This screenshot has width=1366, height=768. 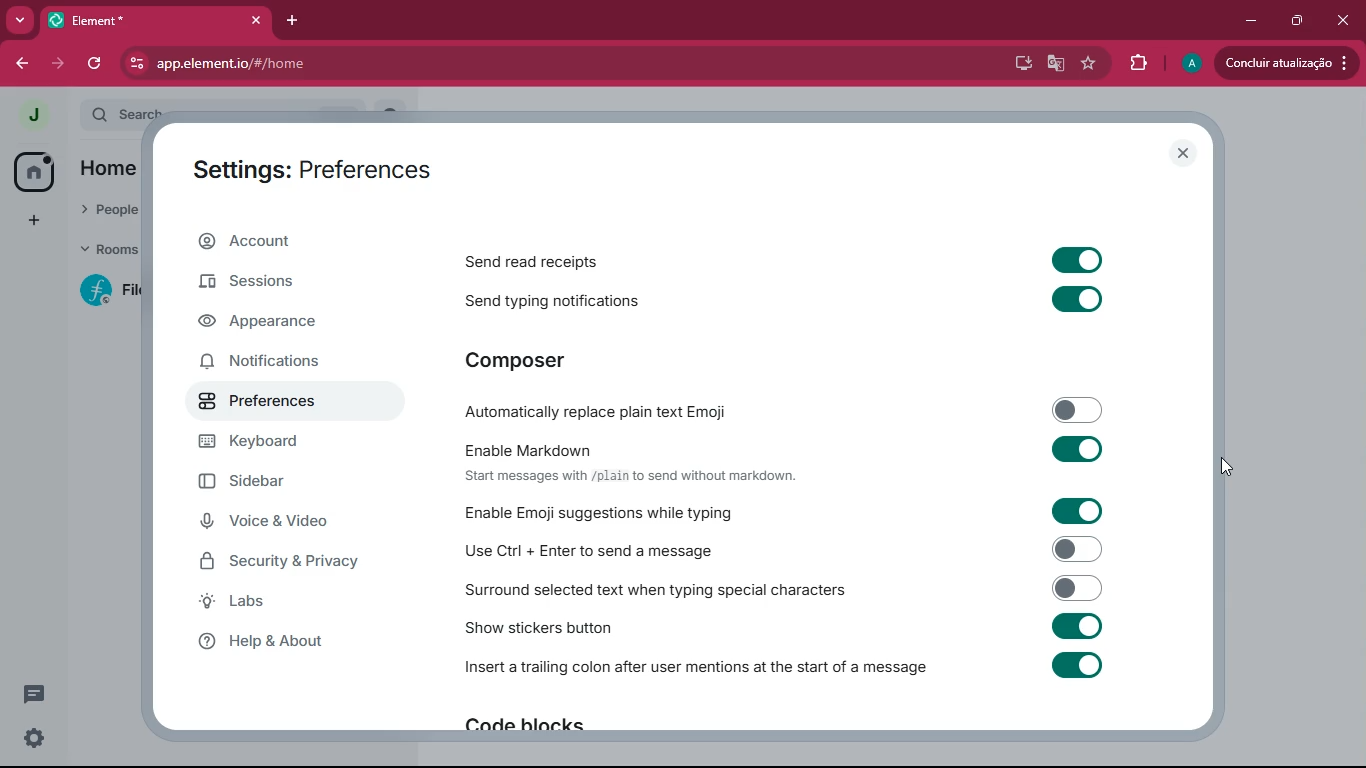 I want to click on notifications, so click(x=285, y=365).